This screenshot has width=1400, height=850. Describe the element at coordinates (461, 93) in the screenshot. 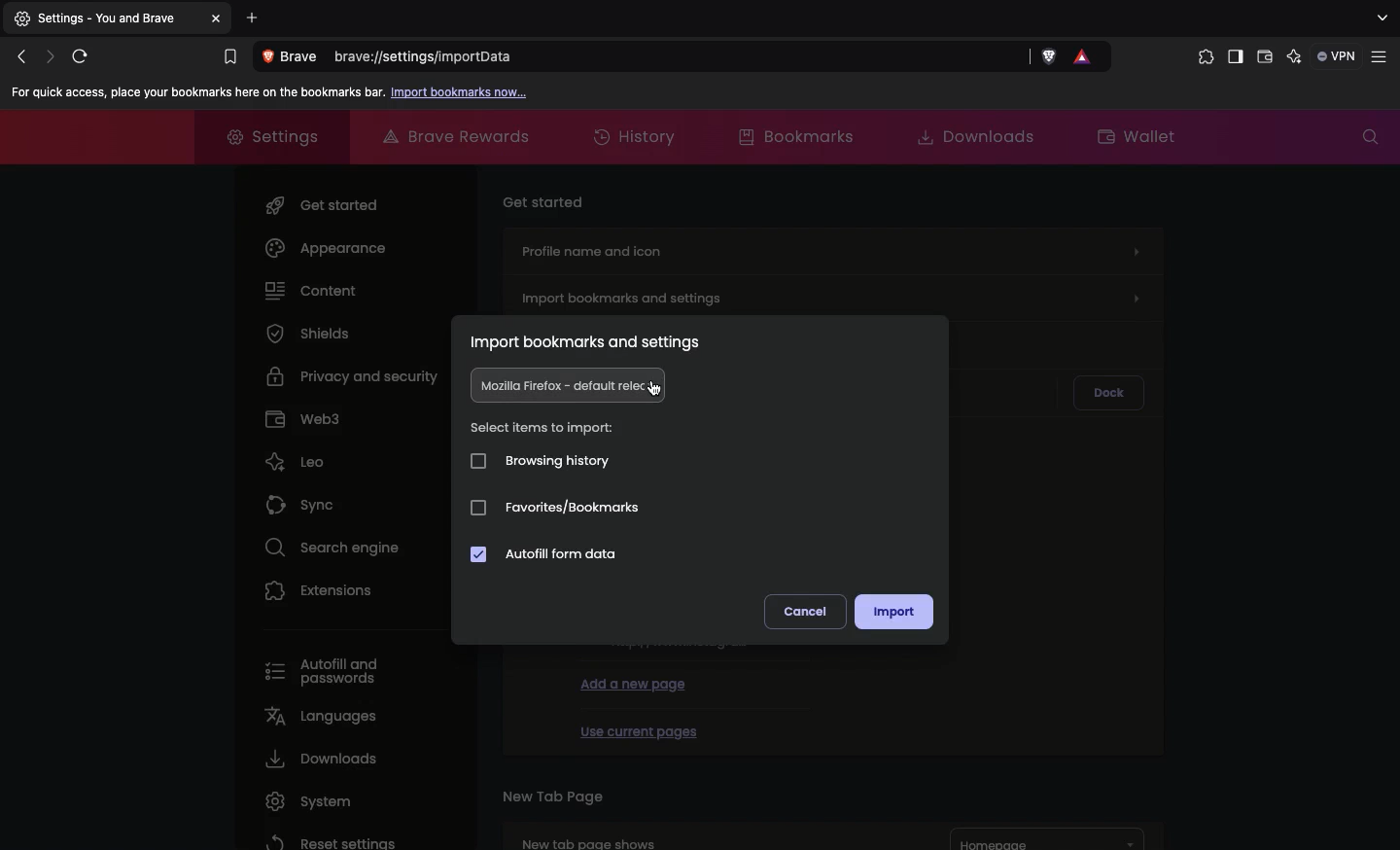

I see `Import bookmarks now` at that location.